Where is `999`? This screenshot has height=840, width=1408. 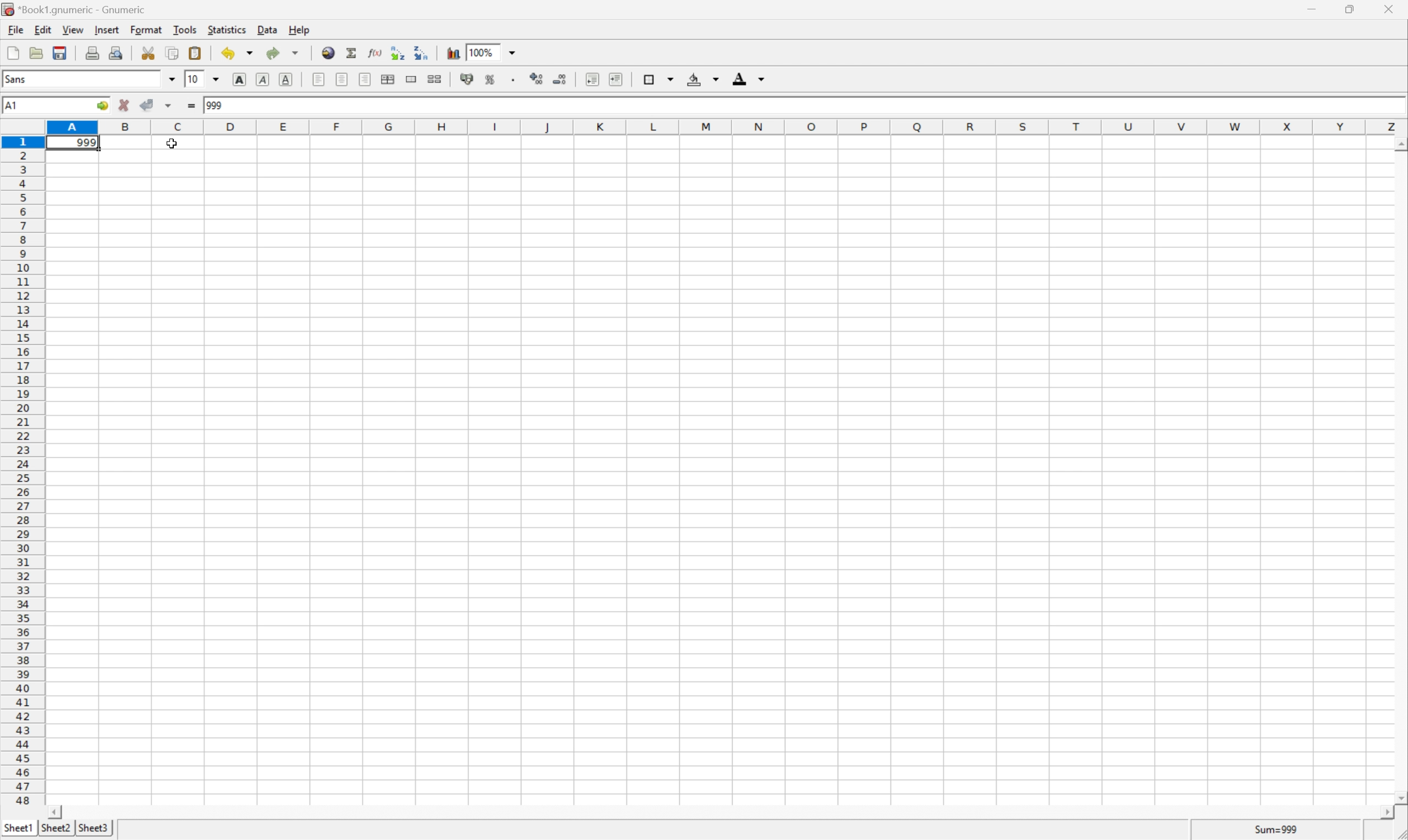 999 is located at coordinates (72, 144).